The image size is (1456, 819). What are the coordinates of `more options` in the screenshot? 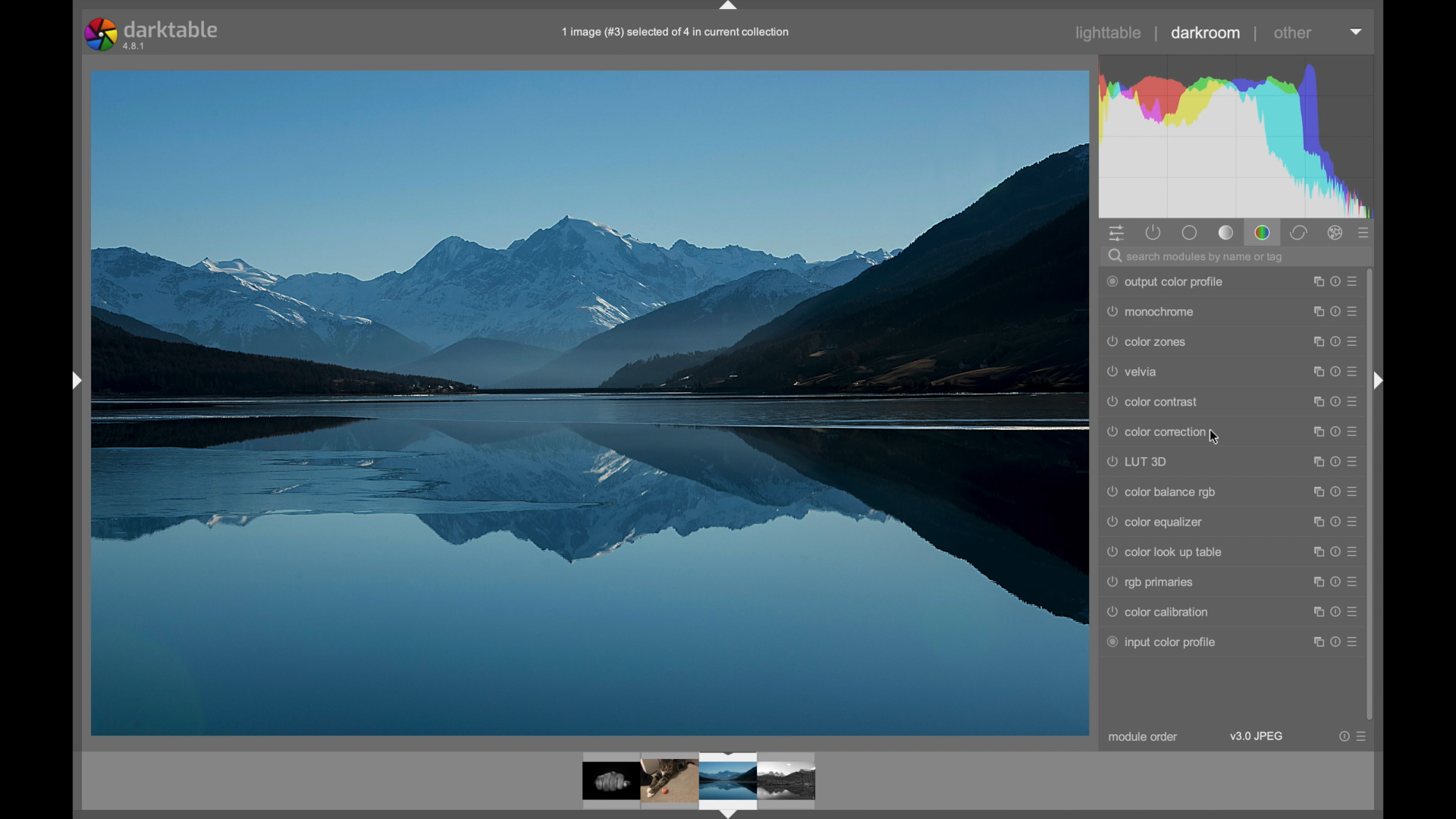 It's located at (1336, 432).